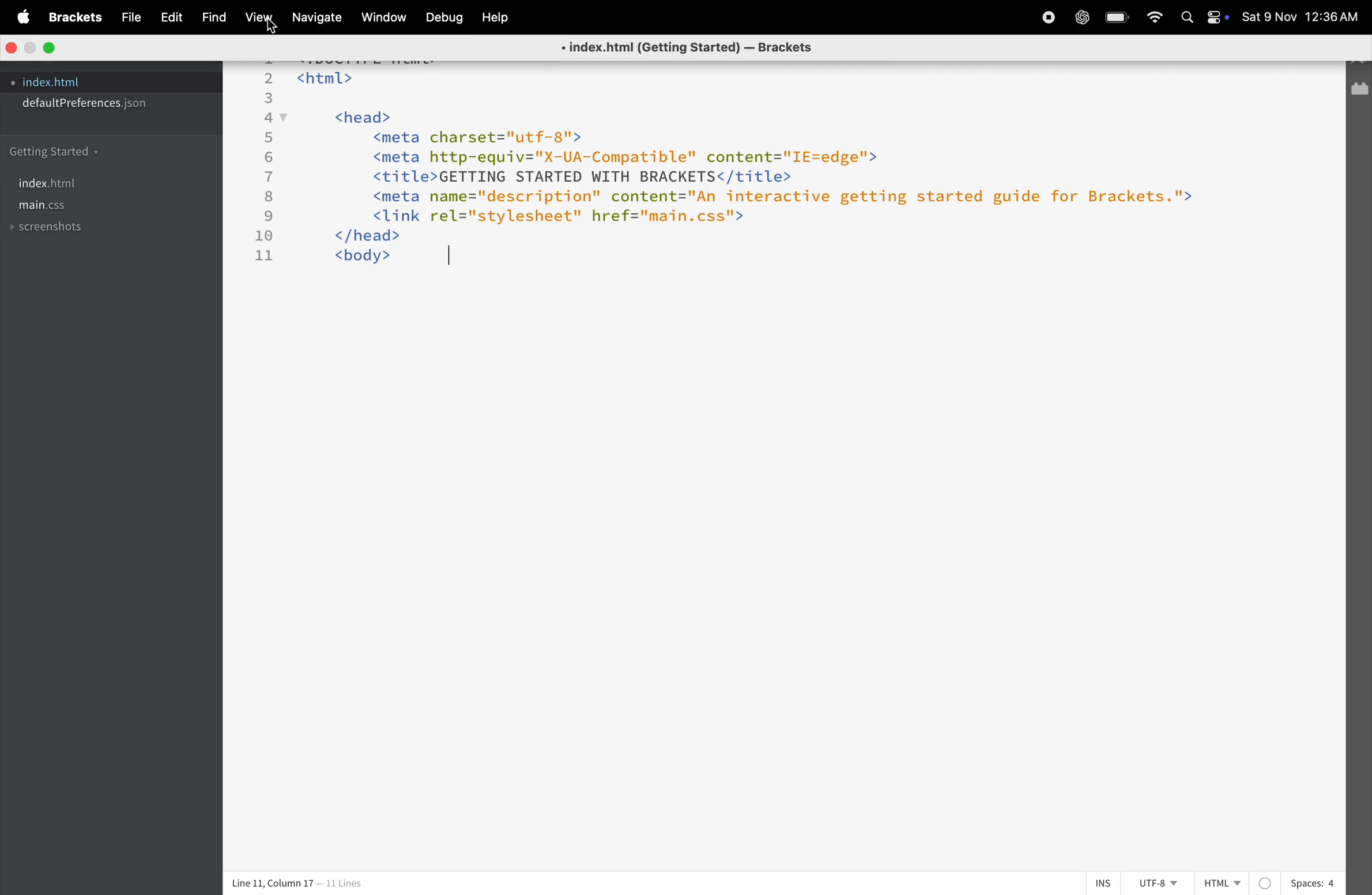  I want to click on wifi, so click(1156, 19).